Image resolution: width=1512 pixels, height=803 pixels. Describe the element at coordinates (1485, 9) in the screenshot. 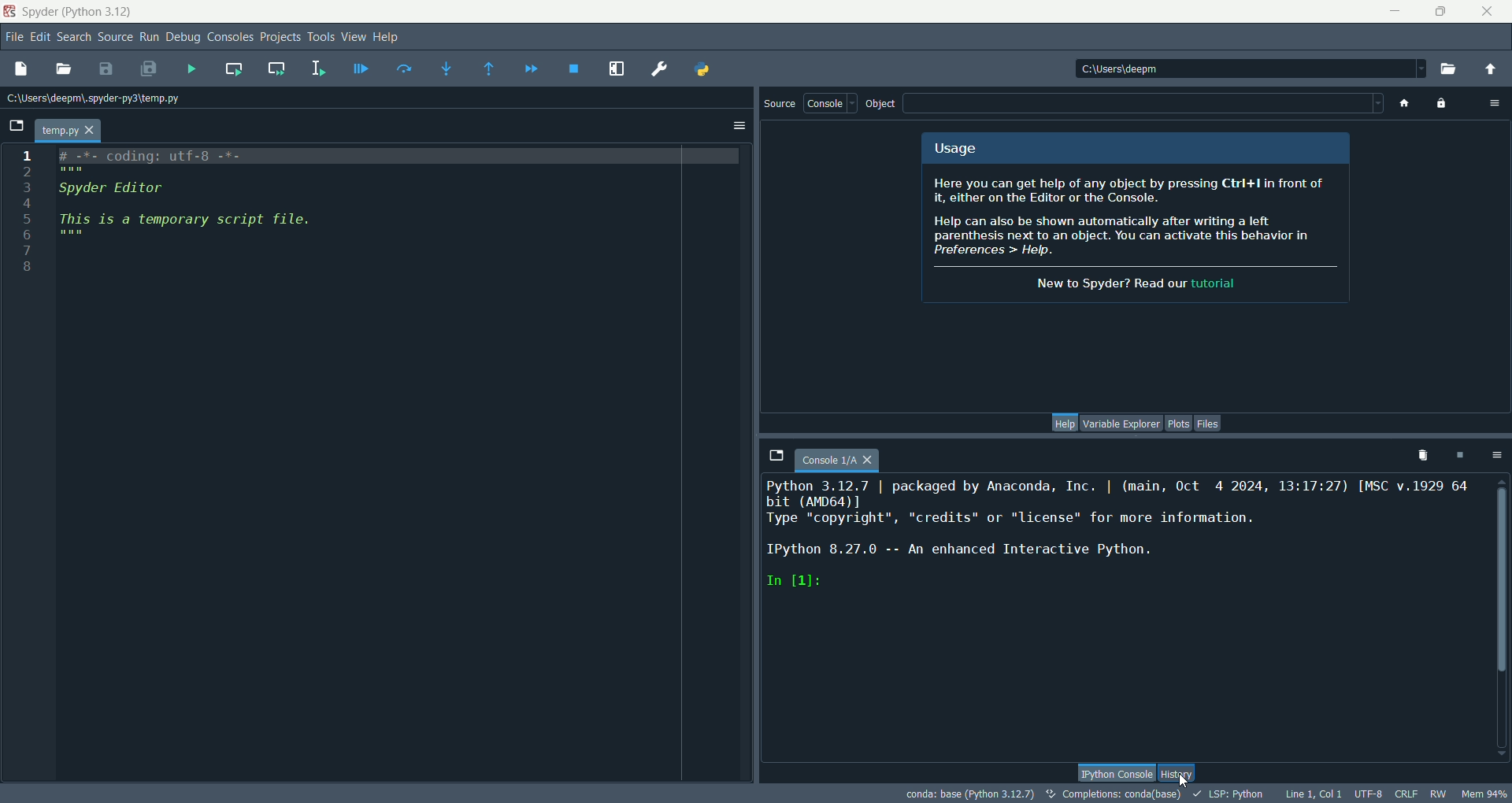

I see `close` at that location.